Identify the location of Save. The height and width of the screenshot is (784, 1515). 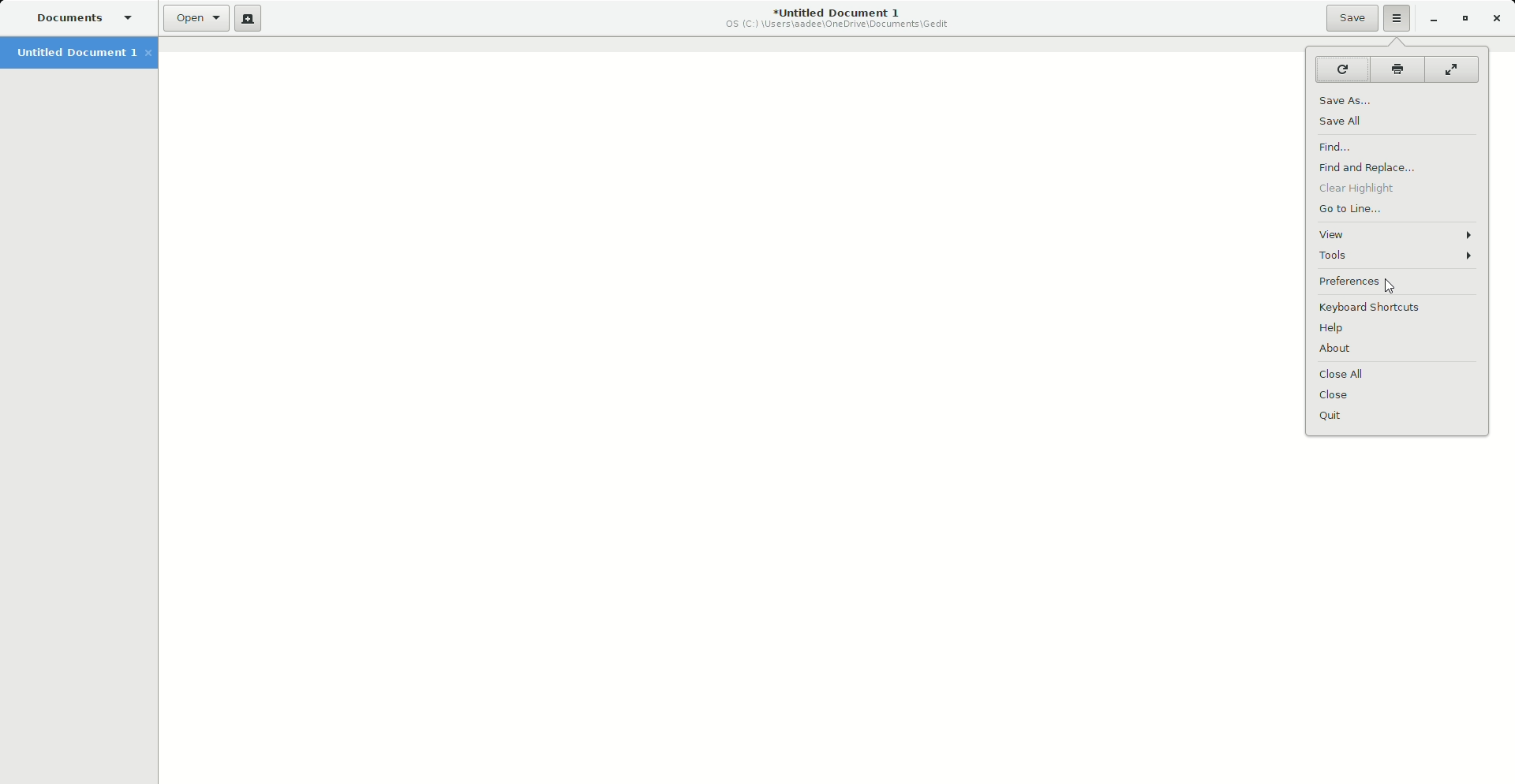
(1346, 18).